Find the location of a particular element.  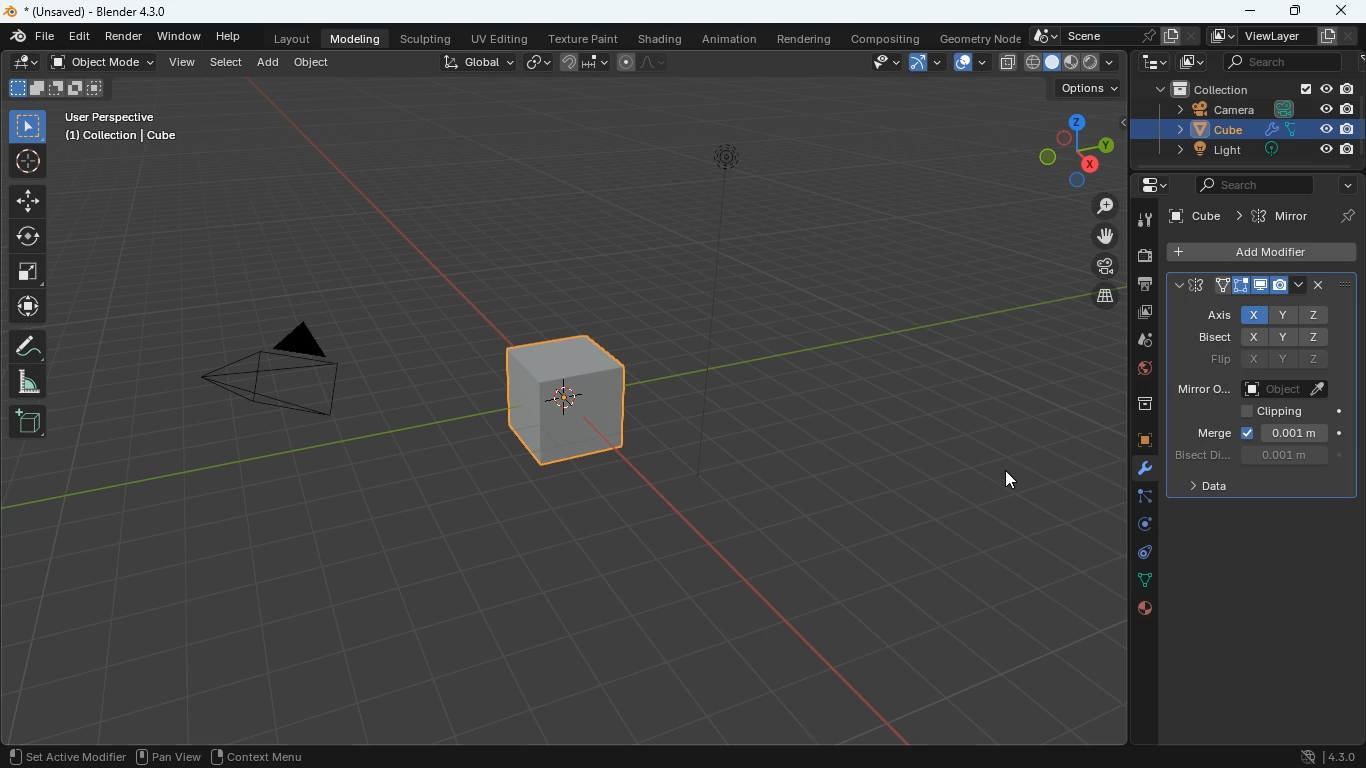

select is located at coordinates (30, 126).